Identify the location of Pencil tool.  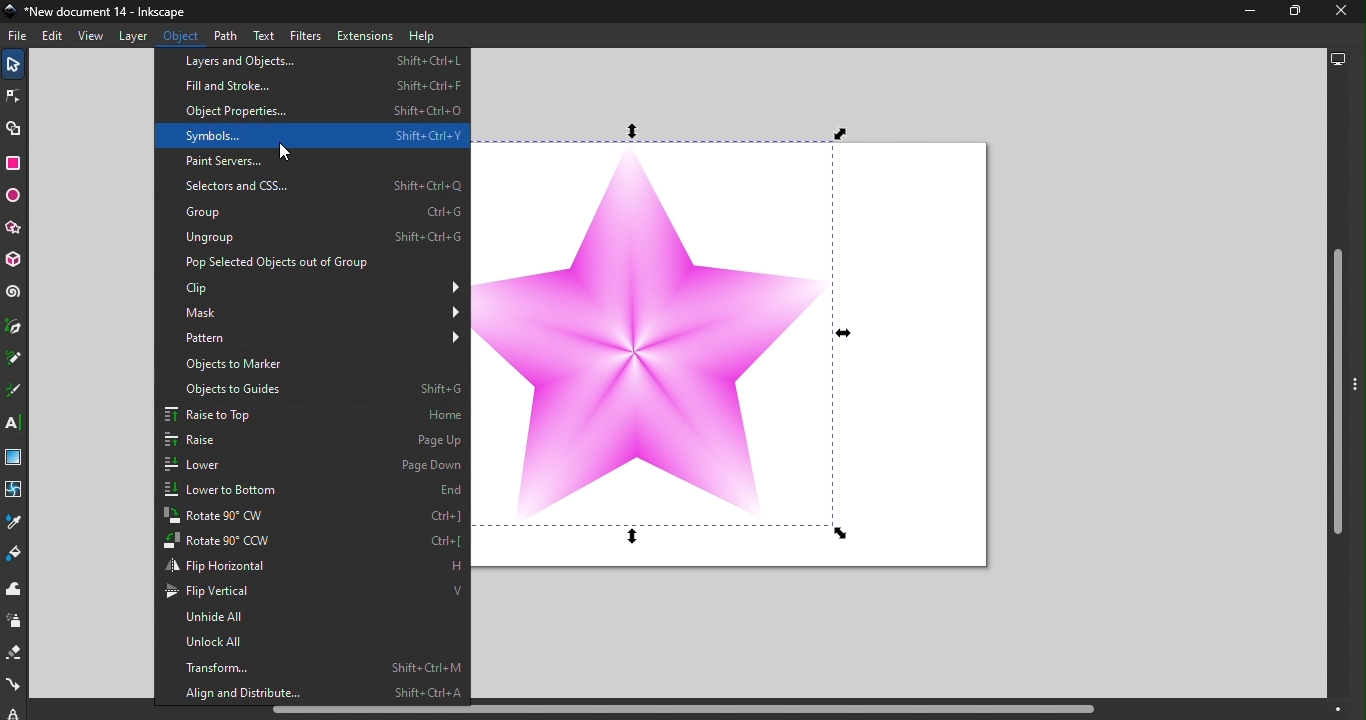
(14, 357).